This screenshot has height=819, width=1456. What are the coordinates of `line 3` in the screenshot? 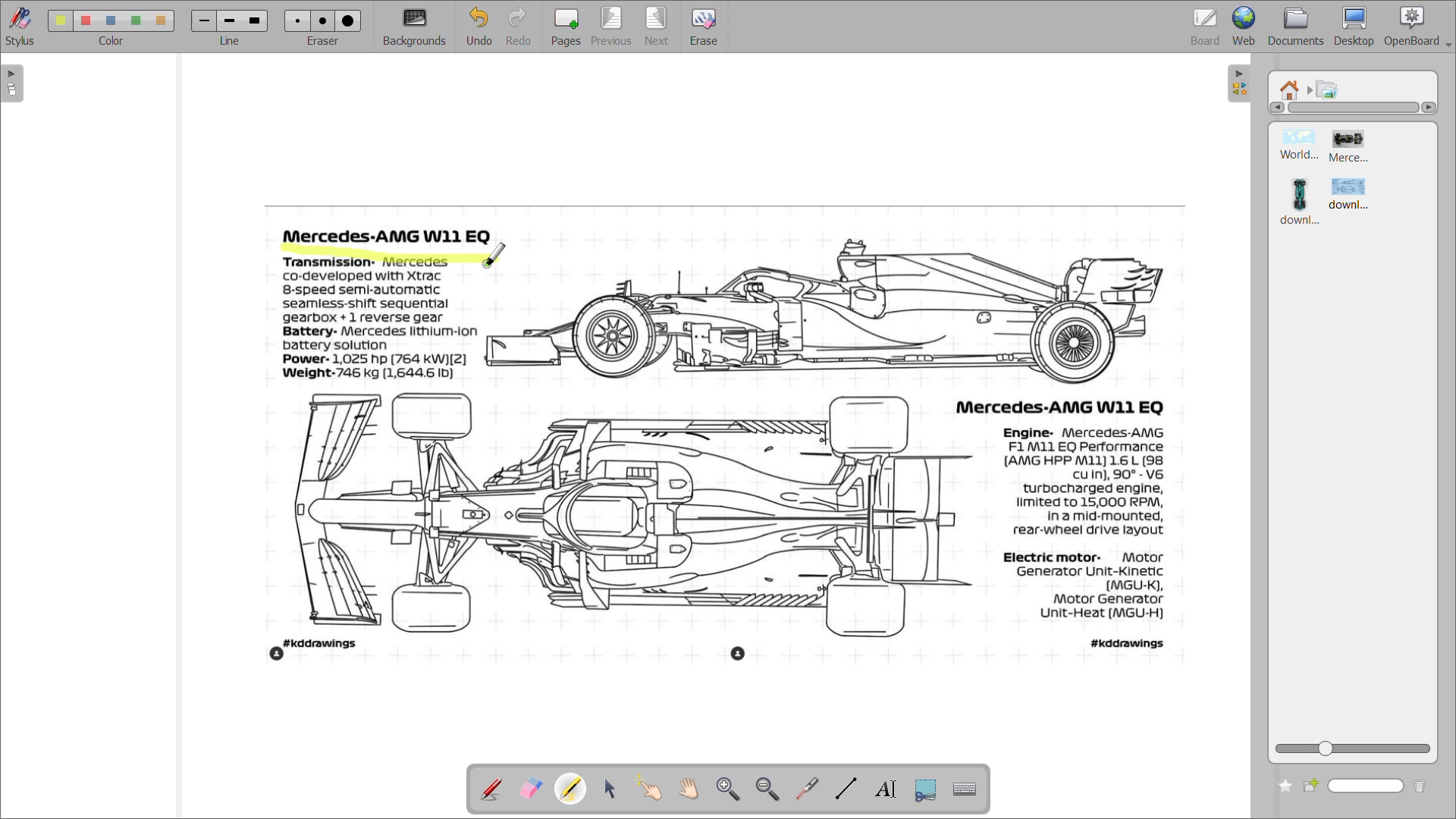 It's located at (258, 20).